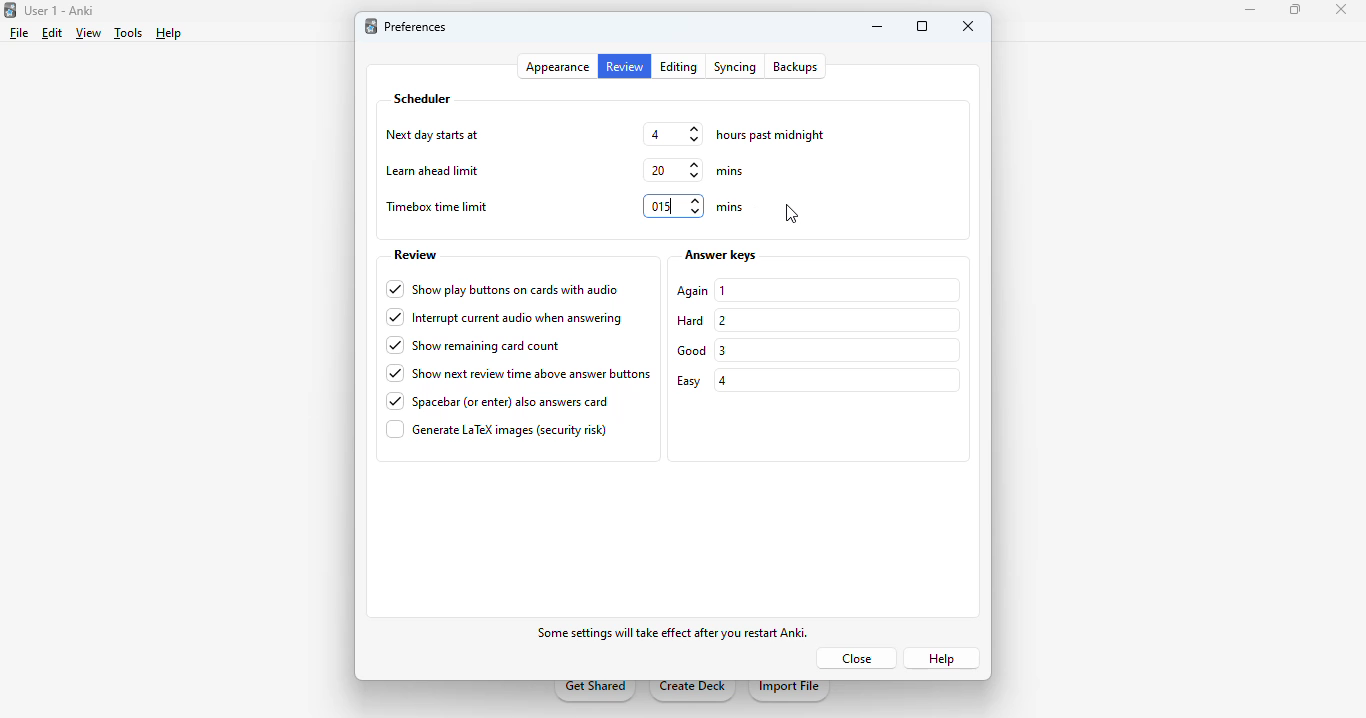  What do you see at coordinates (690, 321) in the screenshot?
I see `hard` at bounding box center [690, 321].